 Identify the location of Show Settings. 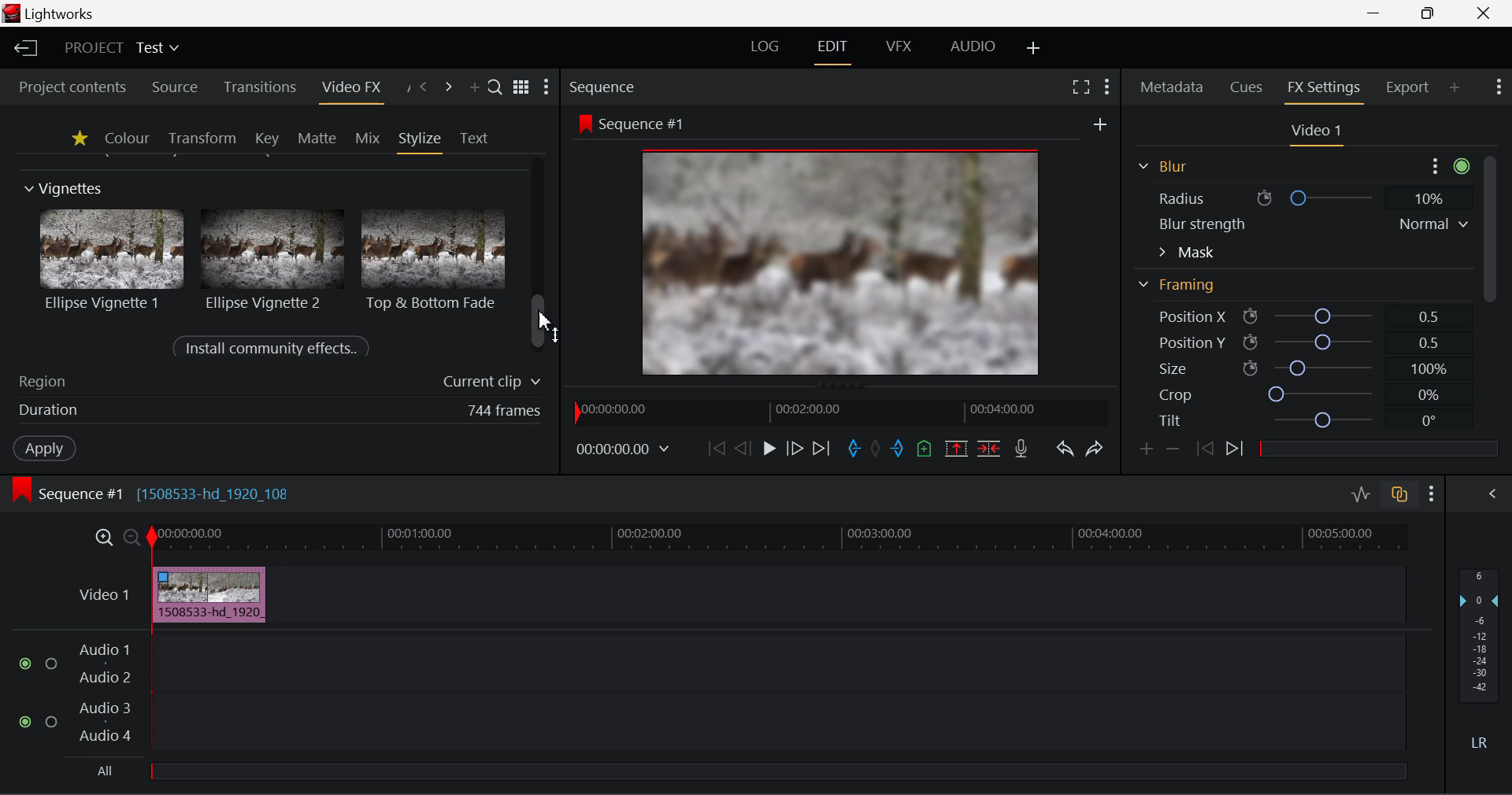
(1501, 89).